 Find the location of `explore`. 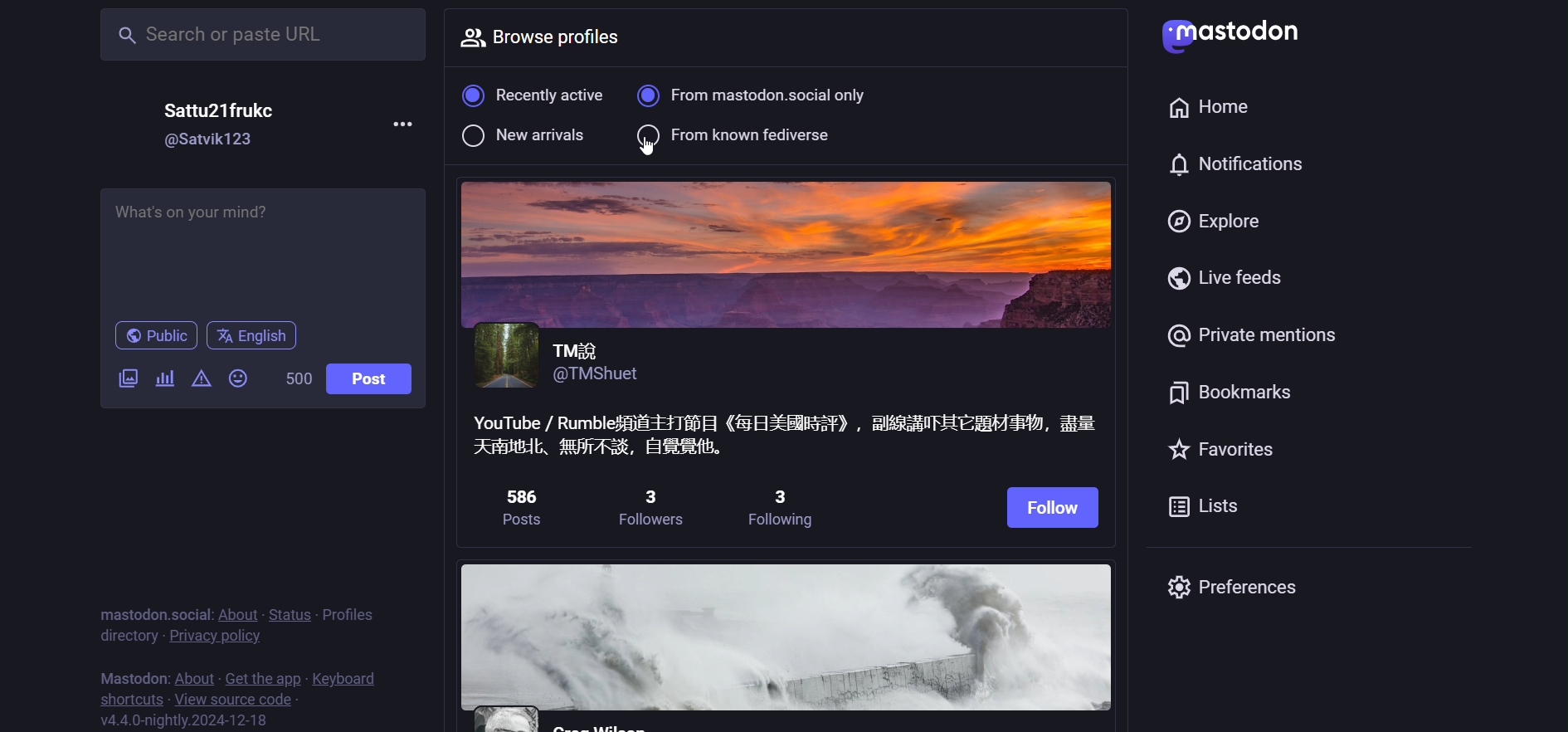

explore is located at coordinates (1217, 221).